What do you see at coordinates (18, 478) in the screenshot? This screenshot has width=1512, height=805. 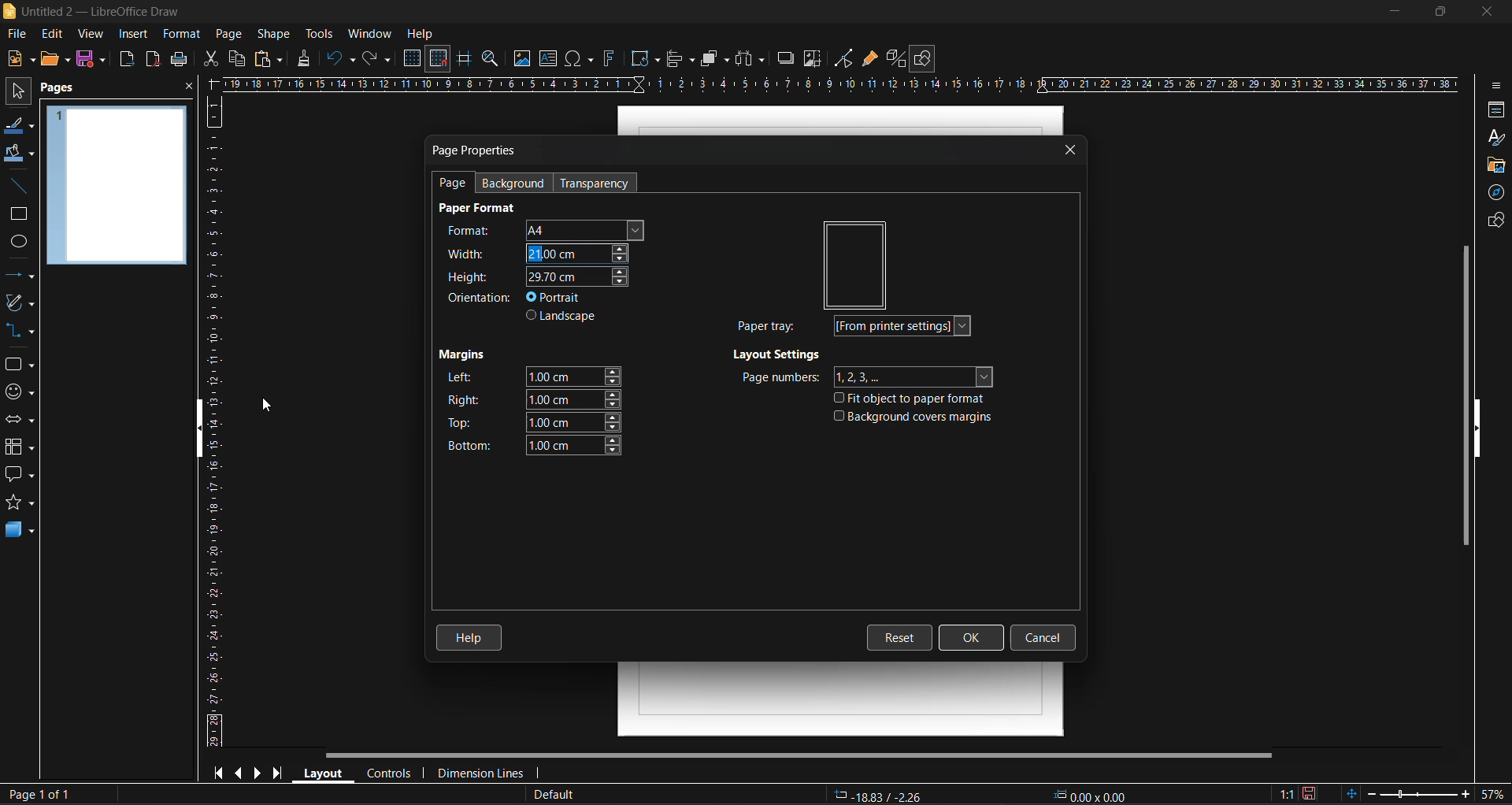 I see `callout shapes` at bounding box center [18, 478].